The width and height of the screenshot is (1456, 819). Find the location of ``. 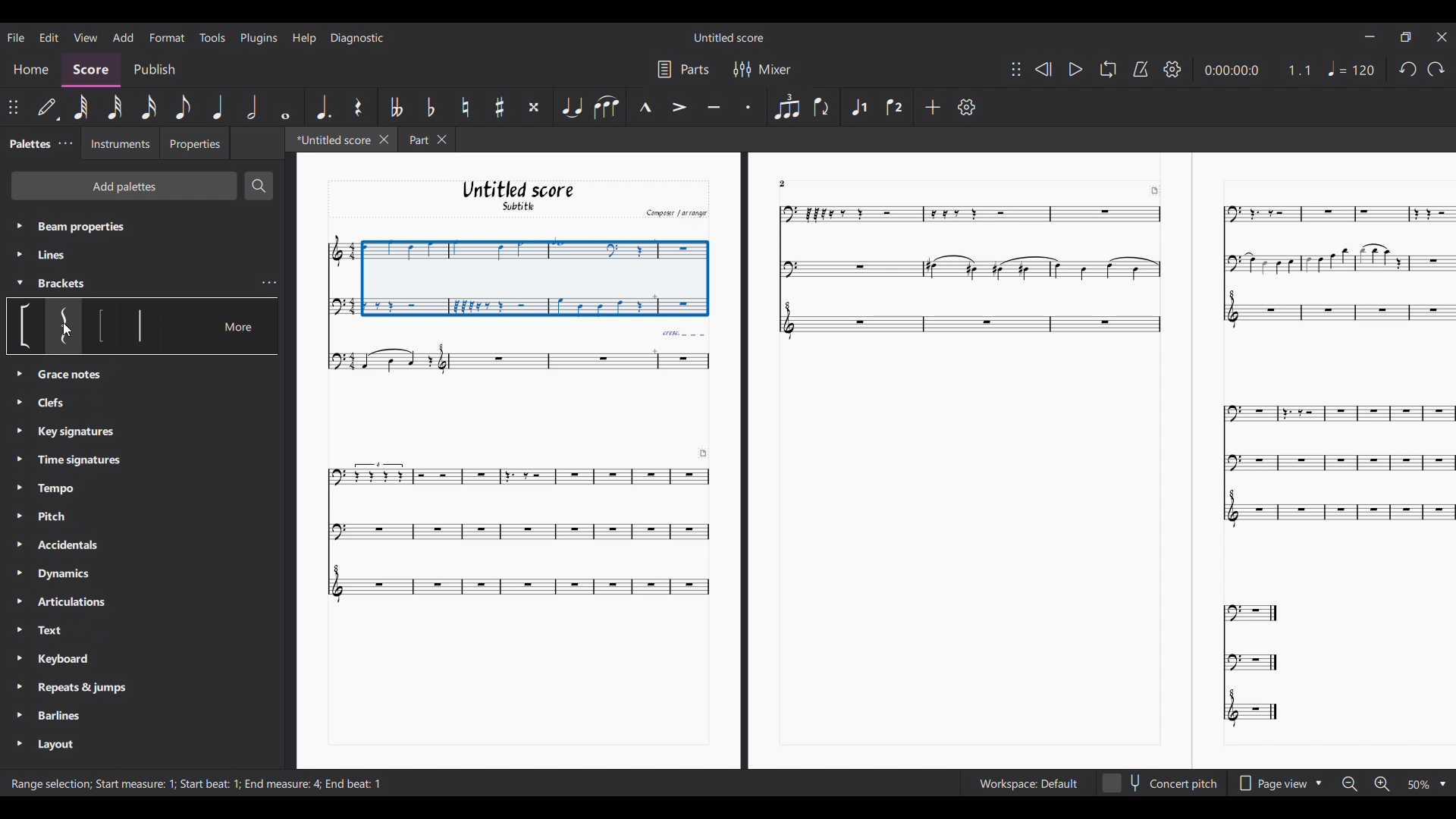

 is located at coordinates (20, 715).